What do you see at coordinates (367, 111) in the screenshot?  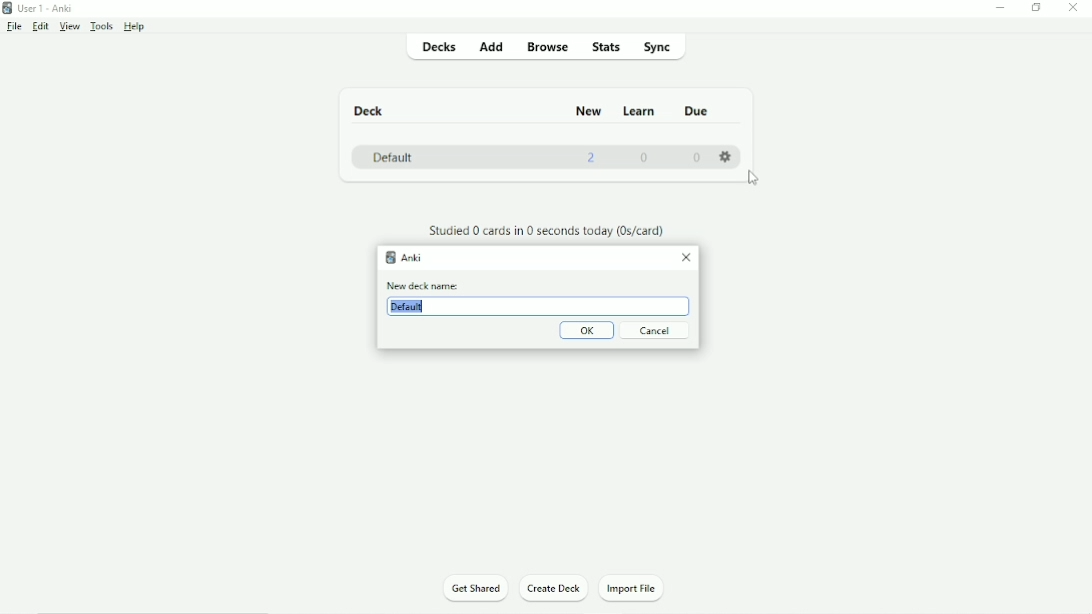 I see `Deck` at bounding box center [367, 111].